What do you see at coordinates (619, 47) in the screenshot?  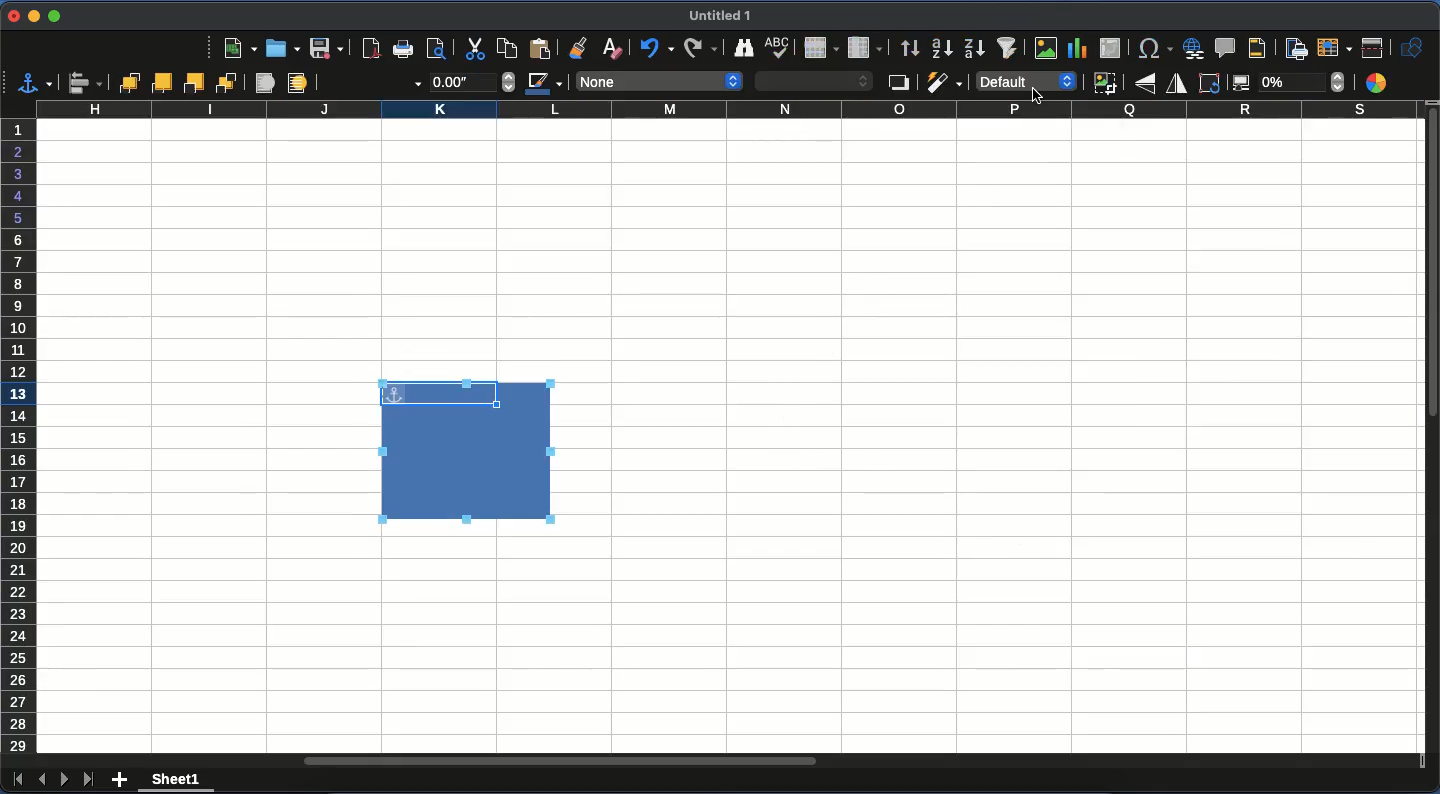 I see `clear formatting` at bounding box center [619, 47].